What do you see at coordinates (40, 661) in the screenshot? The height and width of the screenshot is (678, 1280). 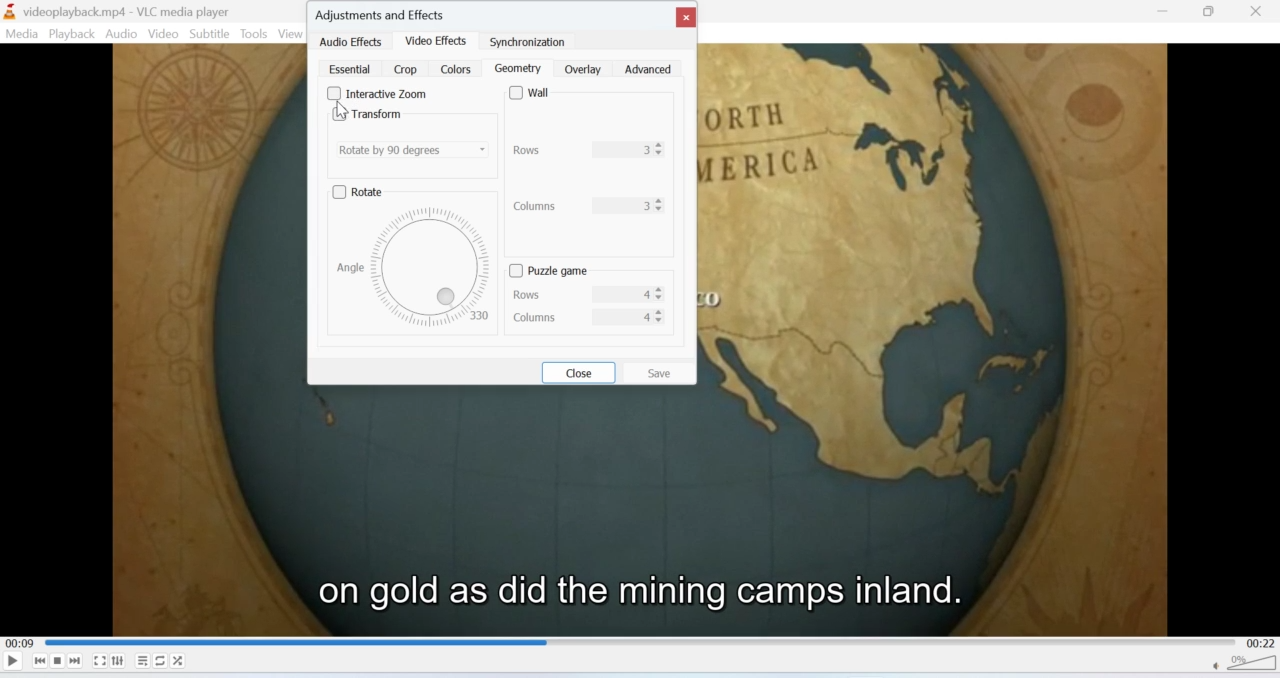 I see `Seek backwards` at bounding box center [40, 661].